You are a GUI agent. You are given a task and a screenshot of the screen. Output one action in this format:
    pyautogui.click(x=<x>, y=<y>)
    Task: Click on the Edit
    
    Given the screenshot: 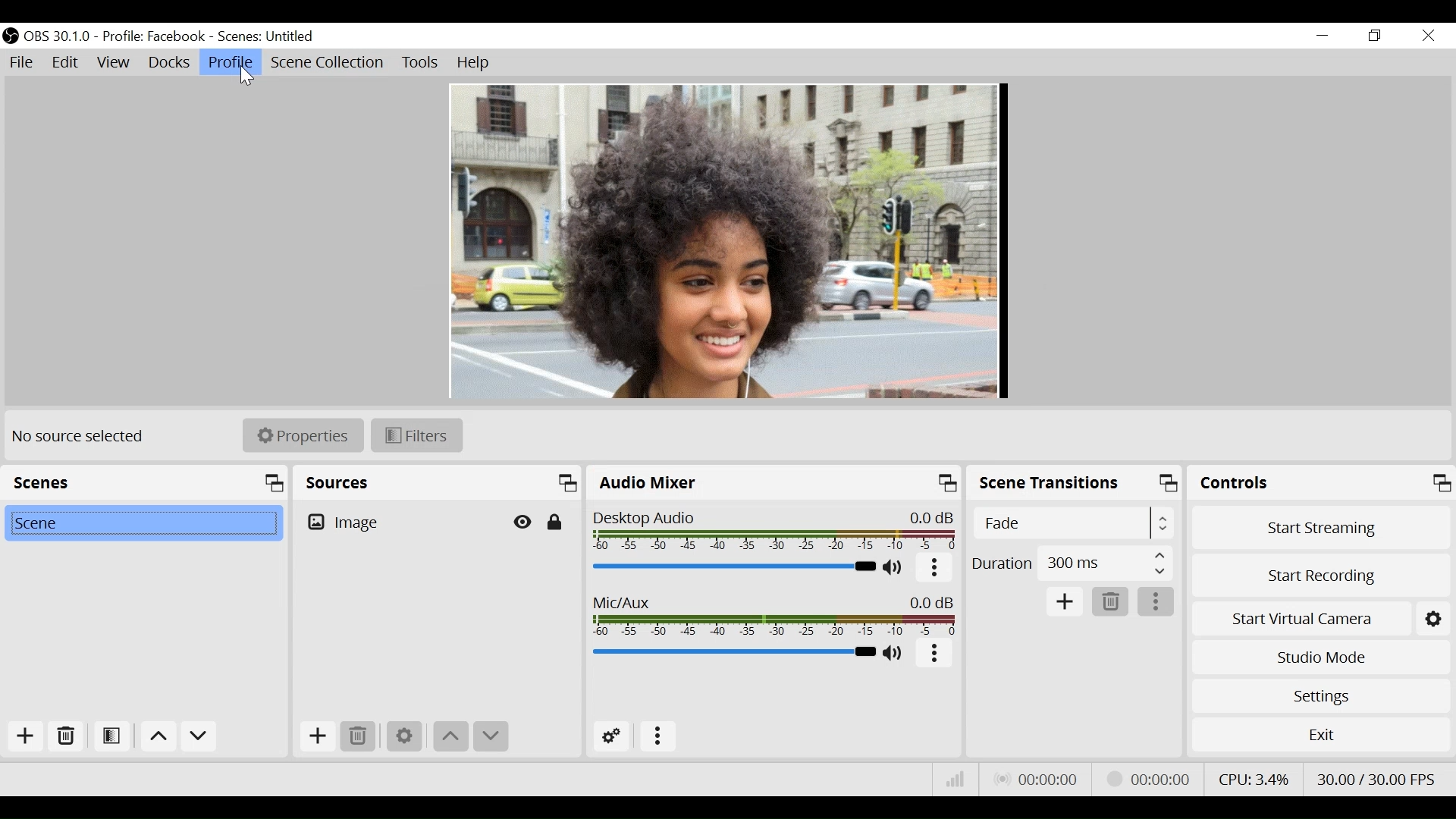 What is the action you would take?
    pyautogui.click(x=67, y=63)
    